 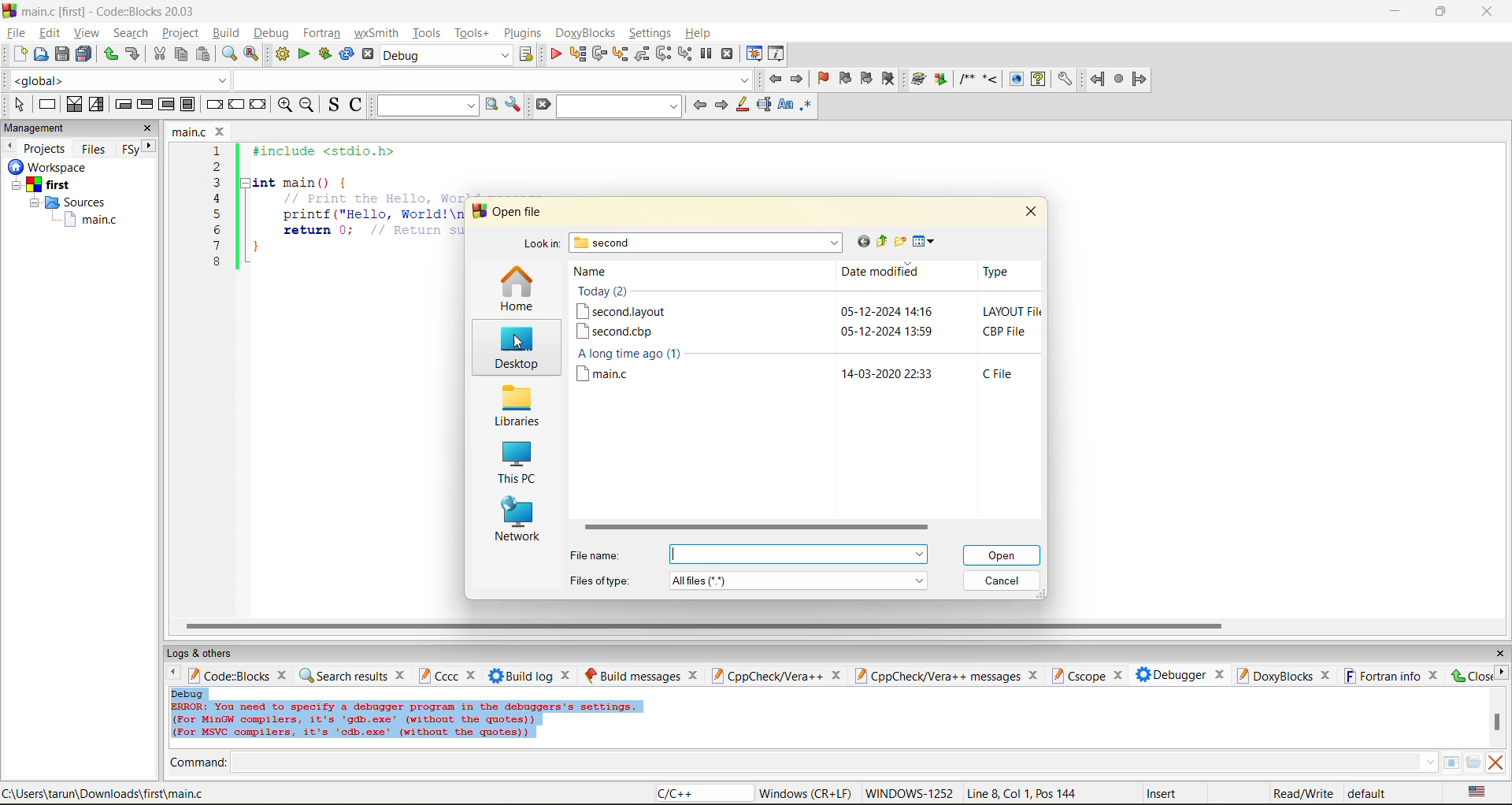 What do you see at coordinates (1025, 793) in the screenshot?
I see `line8, col 1, pos 144` at bounding box center [1025, 793].